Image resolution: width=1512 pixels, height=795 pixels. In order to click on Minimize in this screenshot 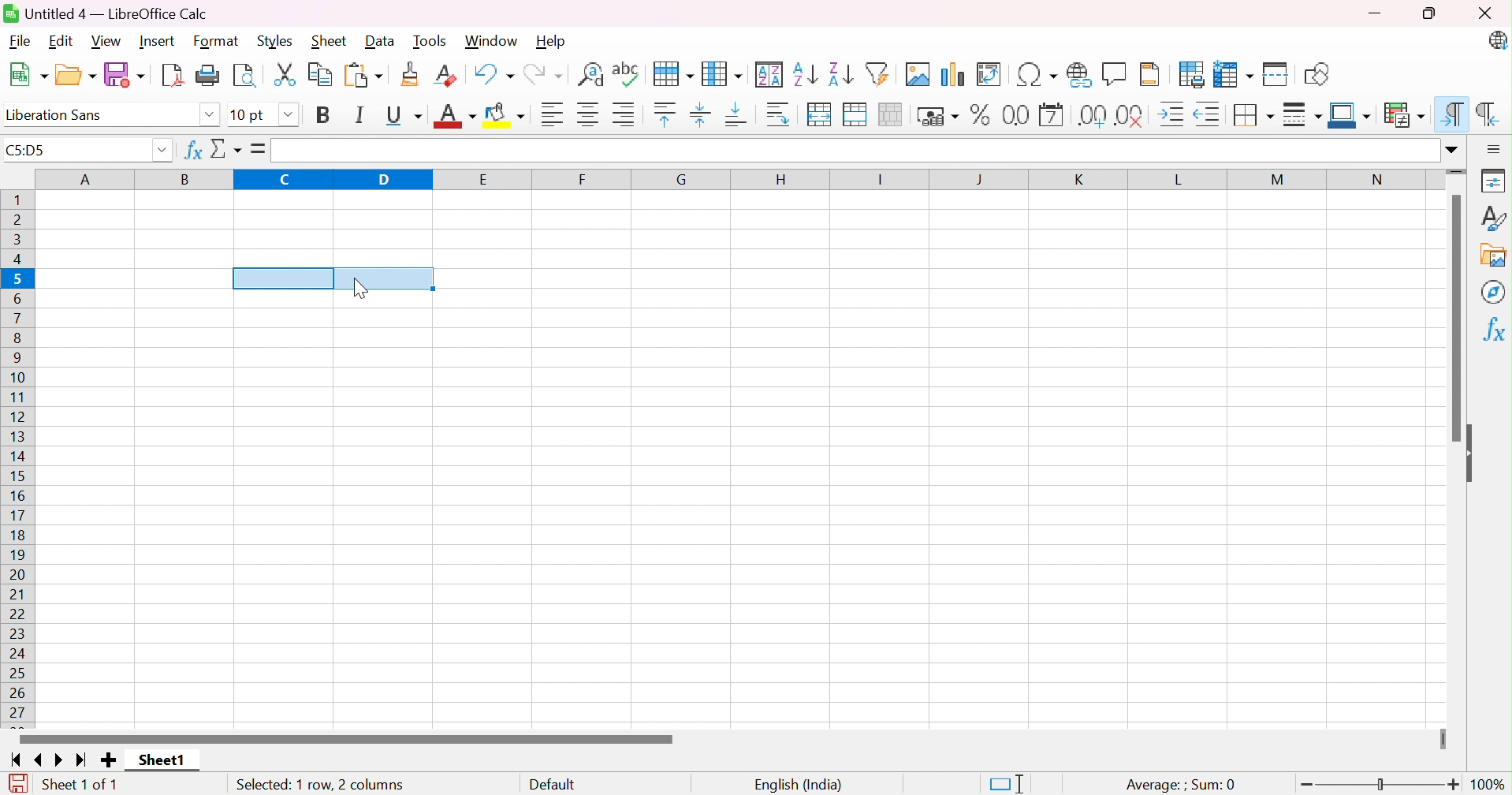, I will do `click(1373, 13)`.